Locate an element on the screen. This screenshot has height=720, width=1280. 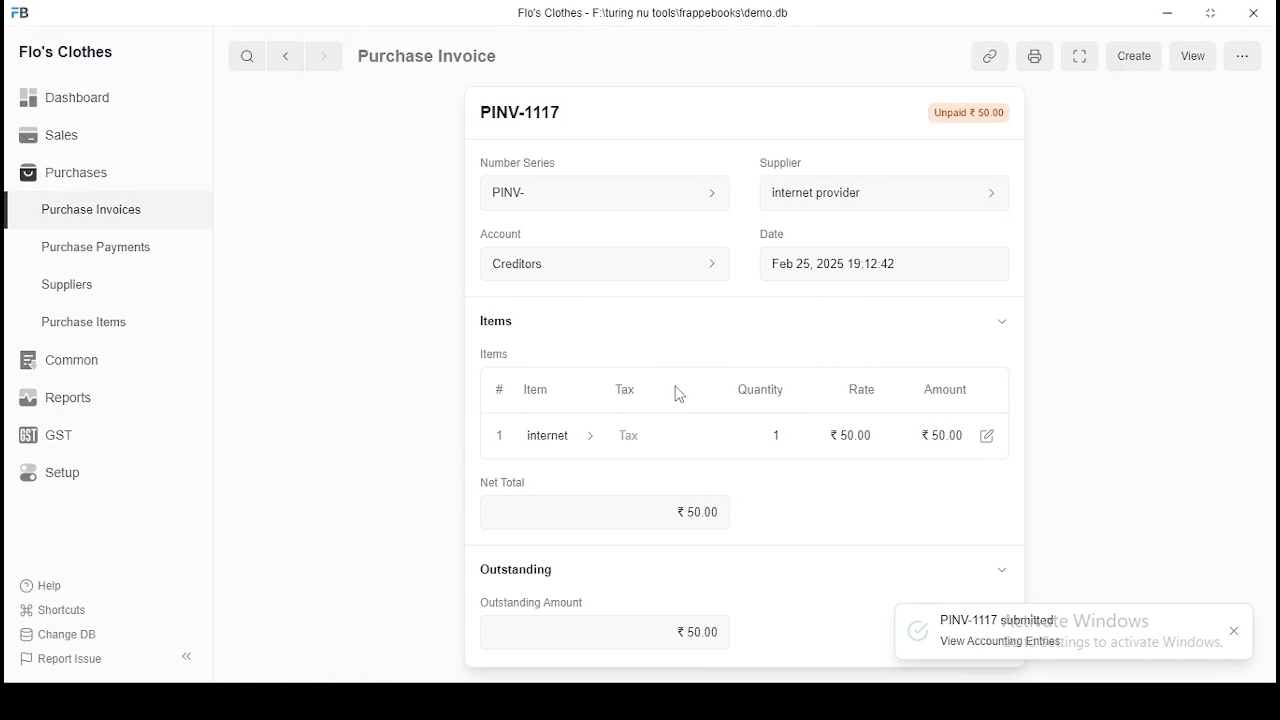
tab is located at coordinates (1003, 322).